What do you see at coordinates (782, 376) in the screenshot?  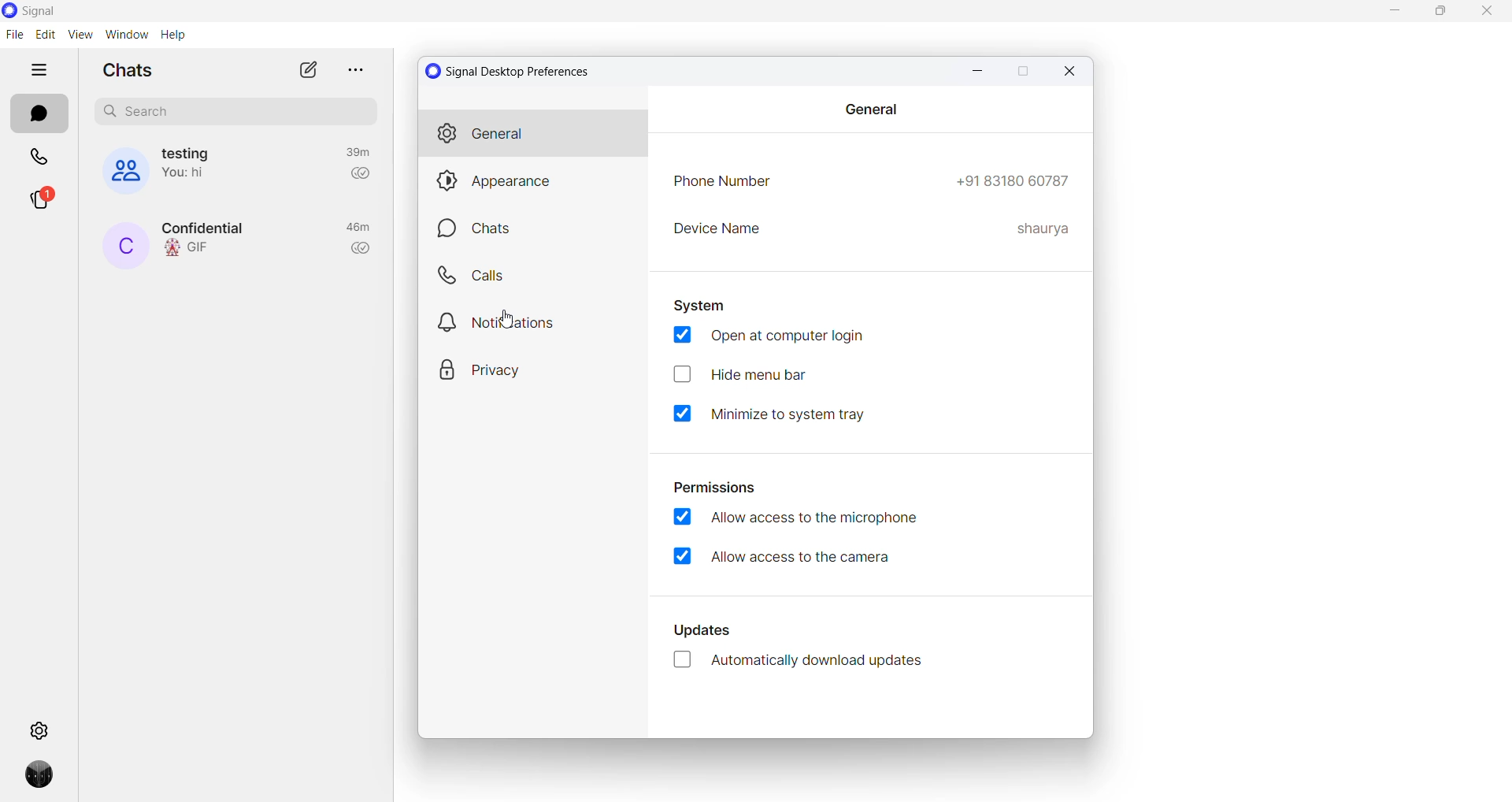 I see `hide menu bar text` at bounding box center [782, 376].